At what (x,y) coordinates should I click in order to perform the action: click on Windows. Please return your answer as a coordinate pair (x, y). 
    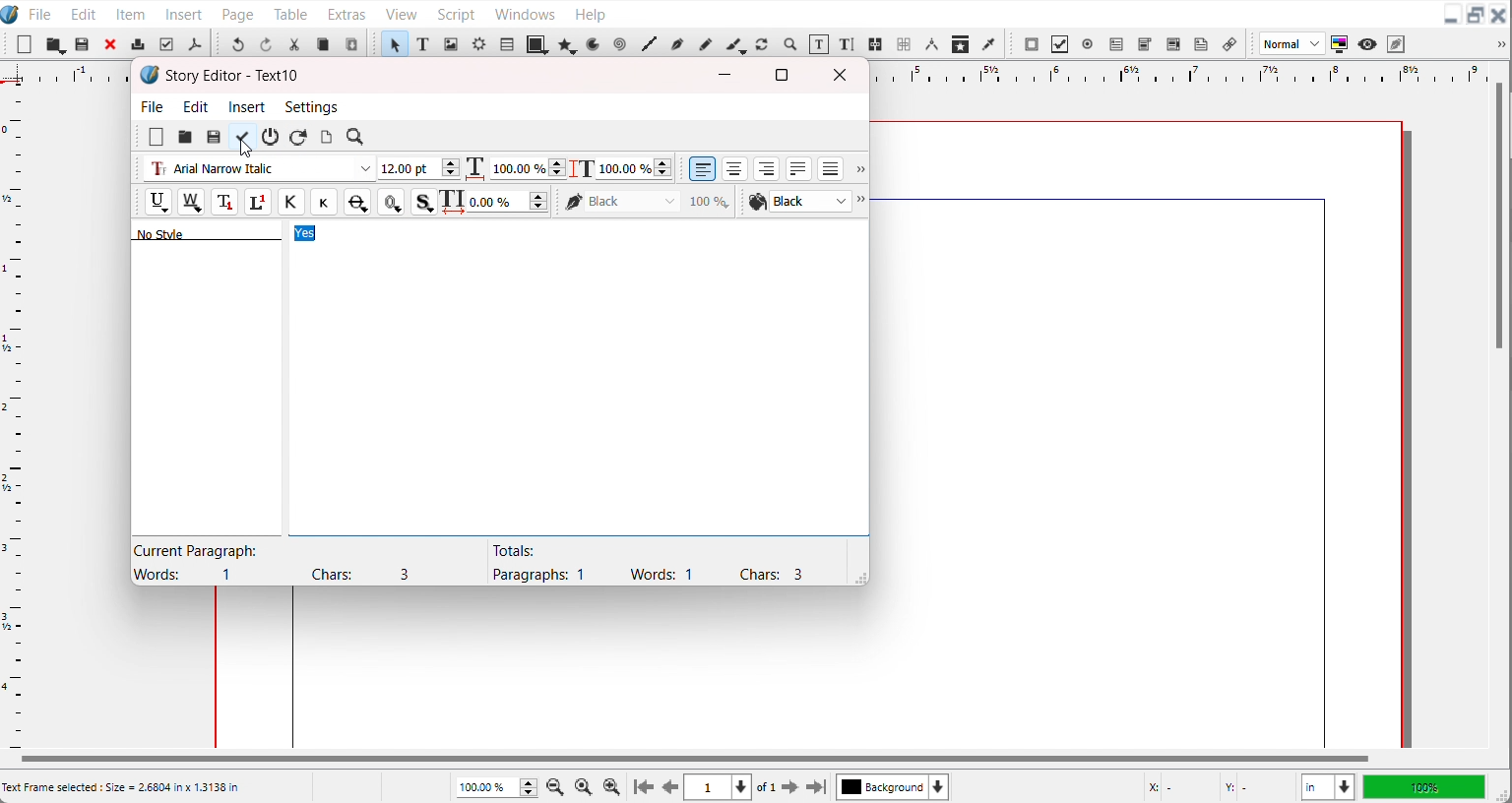
    Looking at the image, I should click on (525, 12).